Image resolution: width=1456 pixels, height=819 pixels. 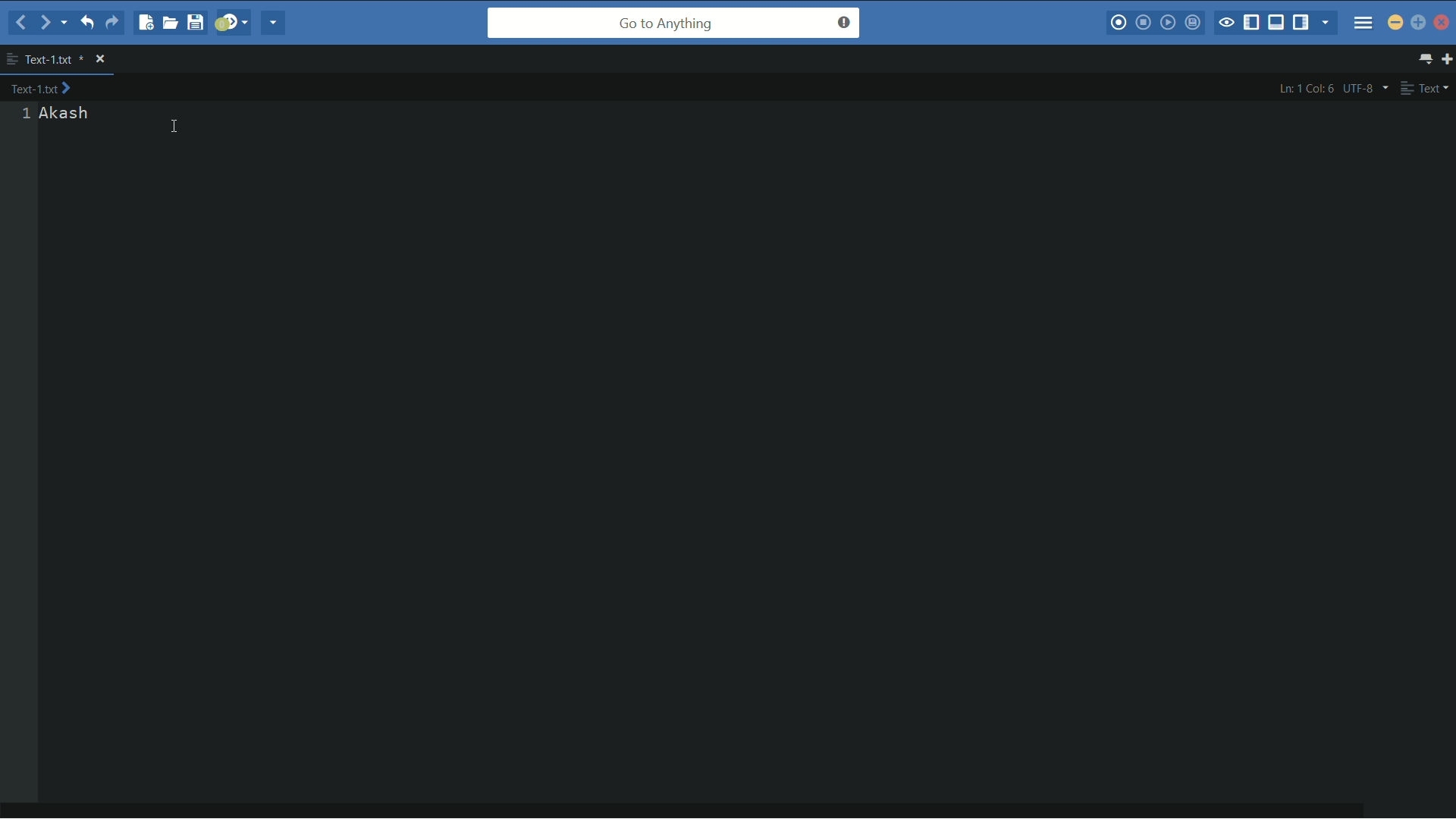 I want to click on Horizontal scroll bar, so click(x=688, y=813).